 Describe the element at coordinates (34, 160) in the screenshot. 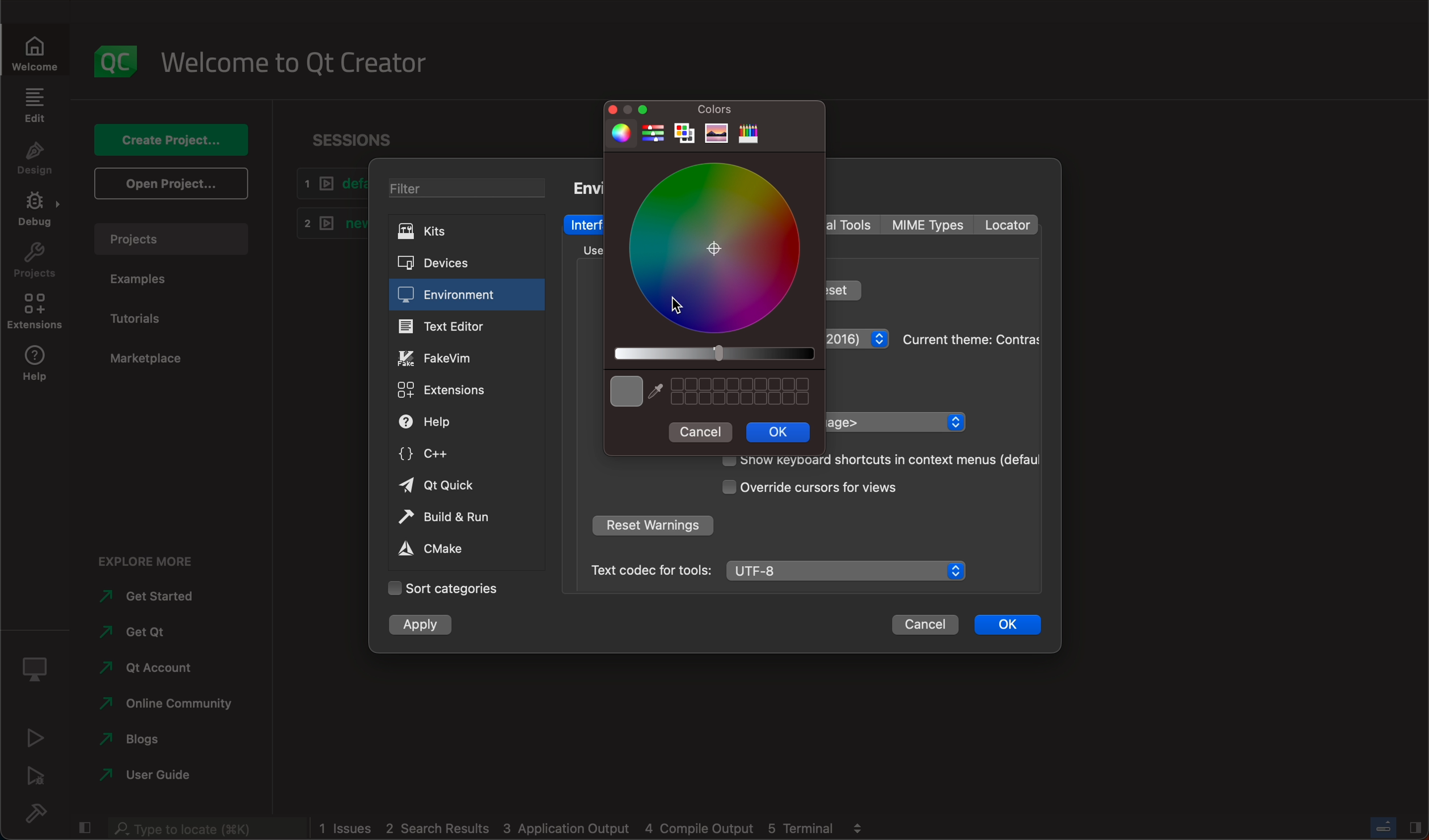

I see `Design` at that location.